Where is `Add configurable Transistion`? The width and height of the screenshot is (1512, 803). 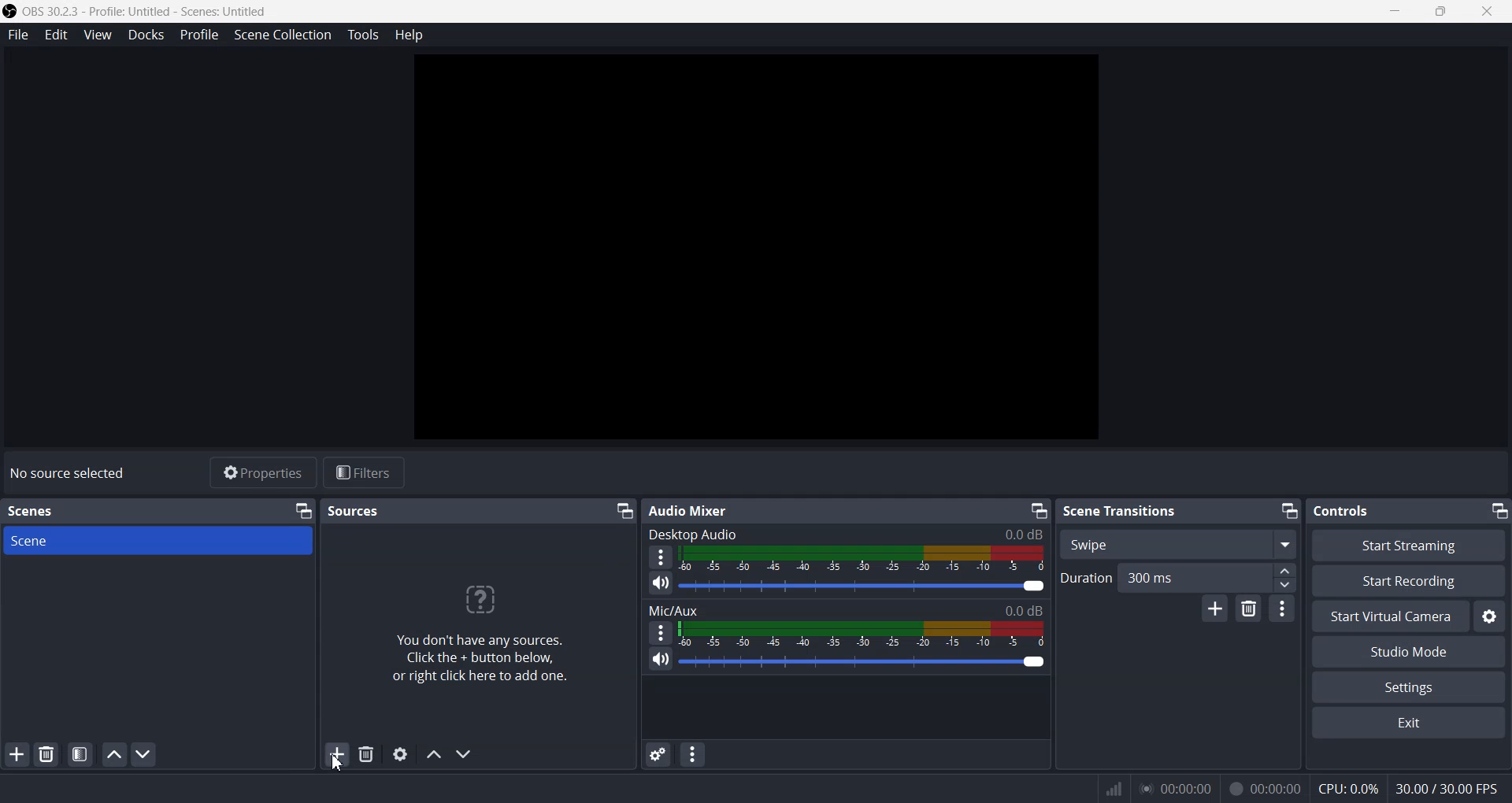 Add configurable Transistion is located at coordinates (1215, 609).